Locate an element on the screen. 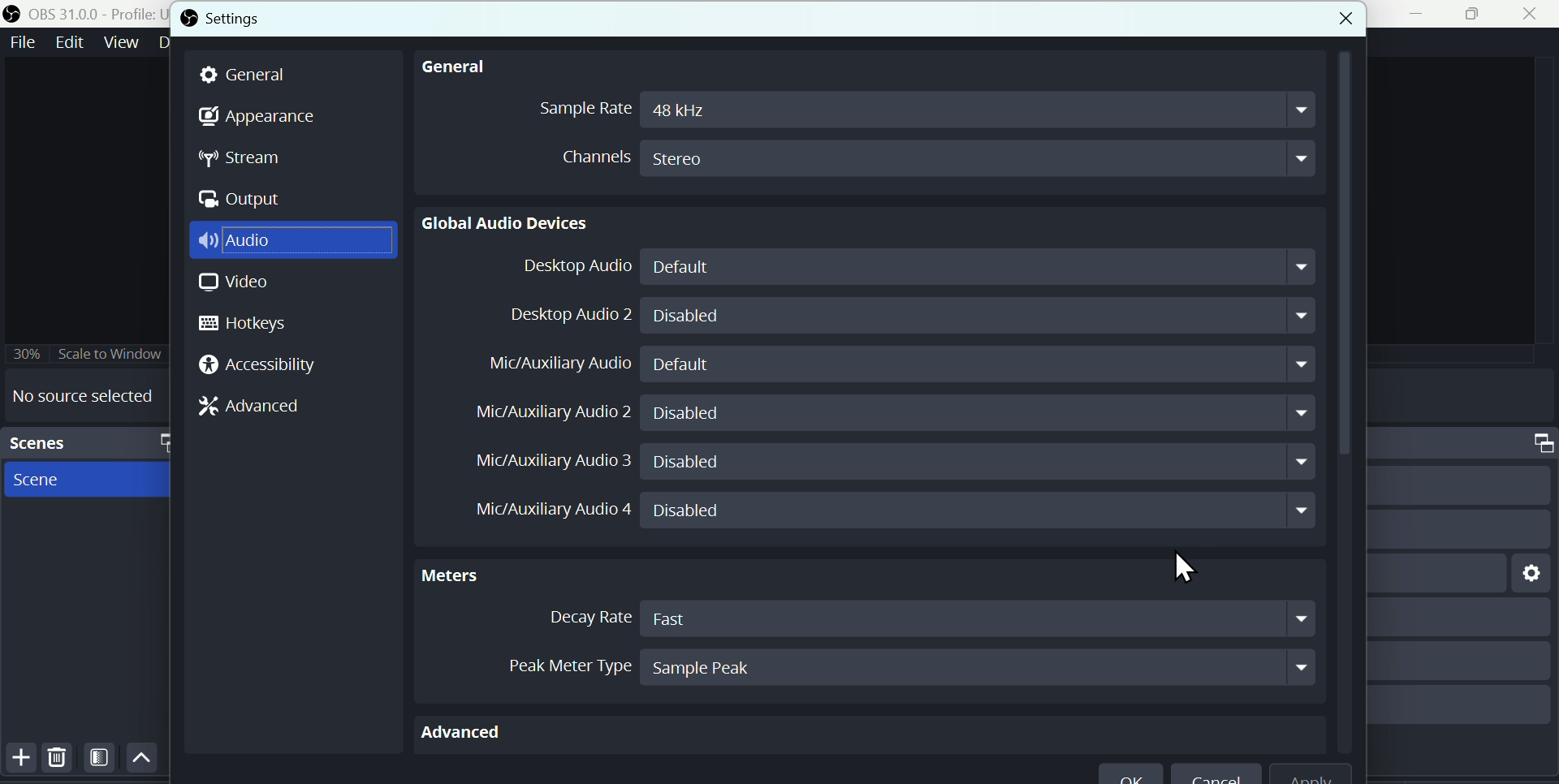 The width and height of the screenshot is (1559, 784). Decay Rate is located at coordinates (585, 620).